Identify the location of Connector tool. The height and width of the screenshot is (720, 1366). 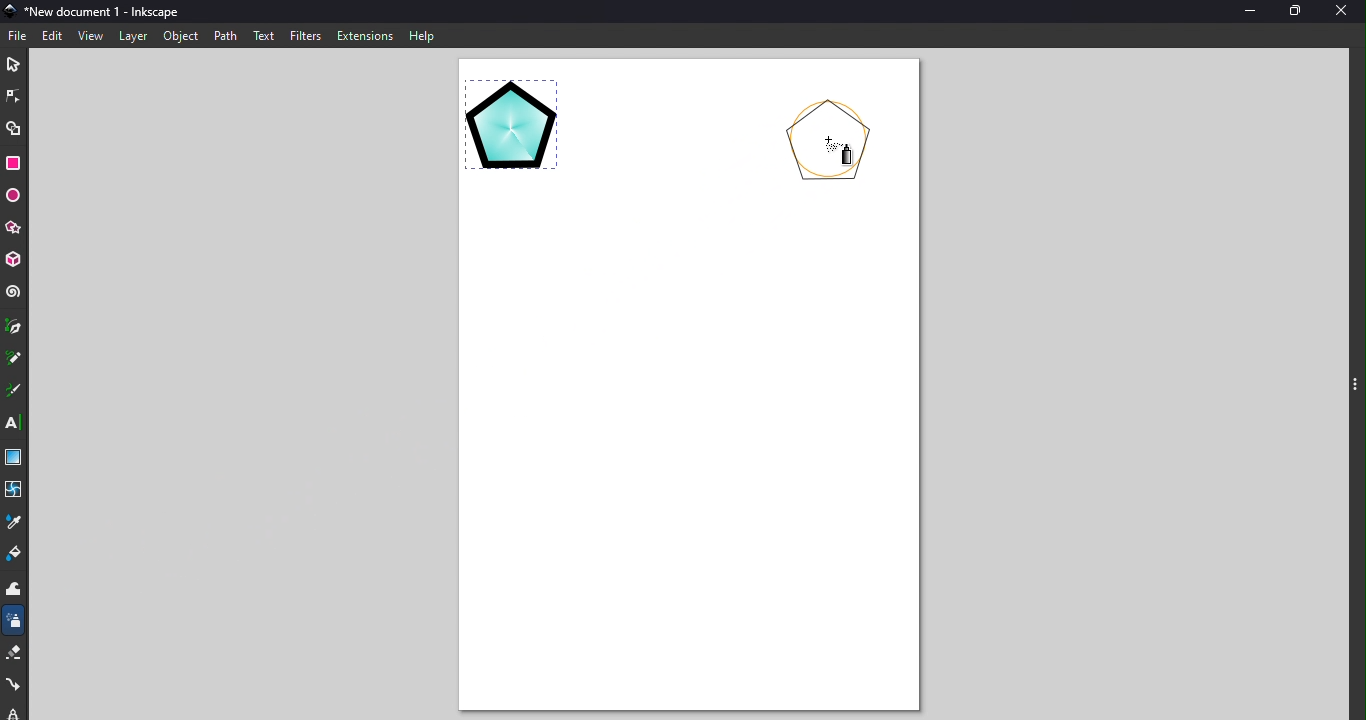
(16, 682).